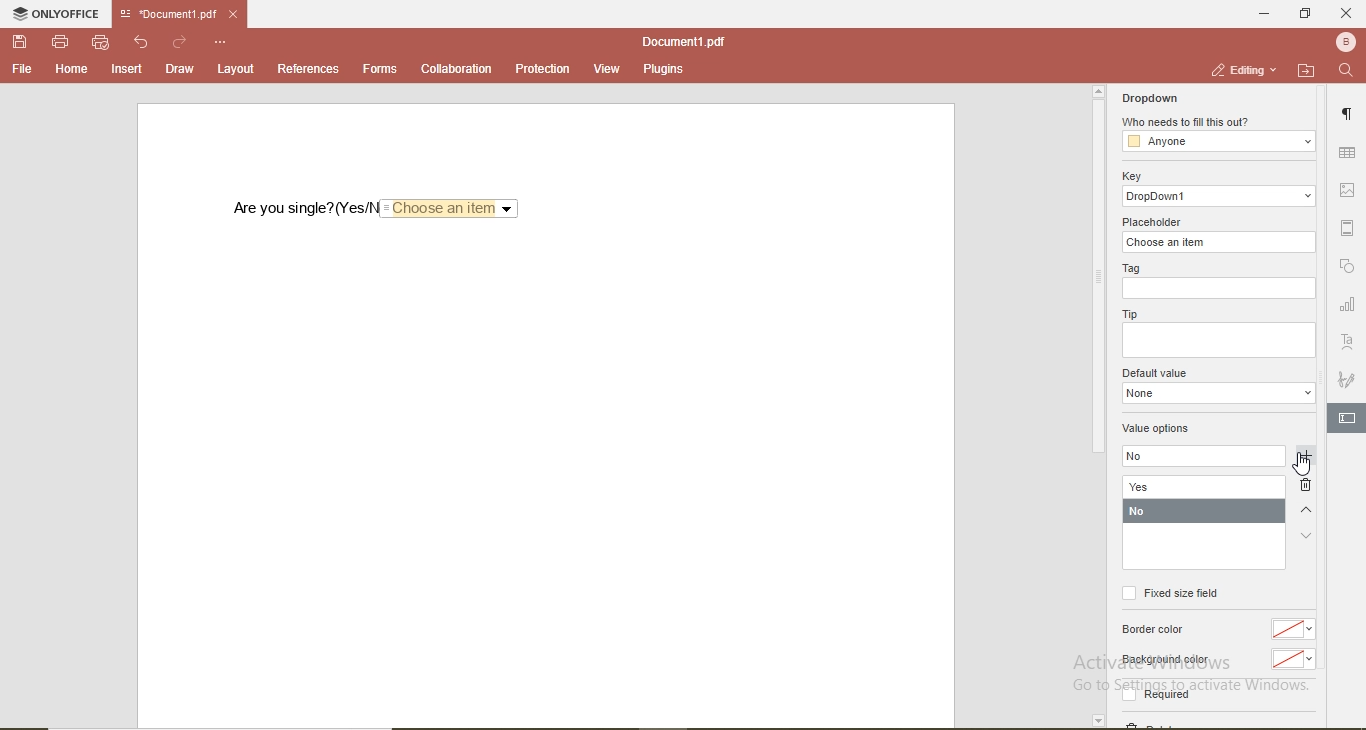  Describe the element at coordinates (1216, 243) in the screenshot. I see `choose an item` at that location.